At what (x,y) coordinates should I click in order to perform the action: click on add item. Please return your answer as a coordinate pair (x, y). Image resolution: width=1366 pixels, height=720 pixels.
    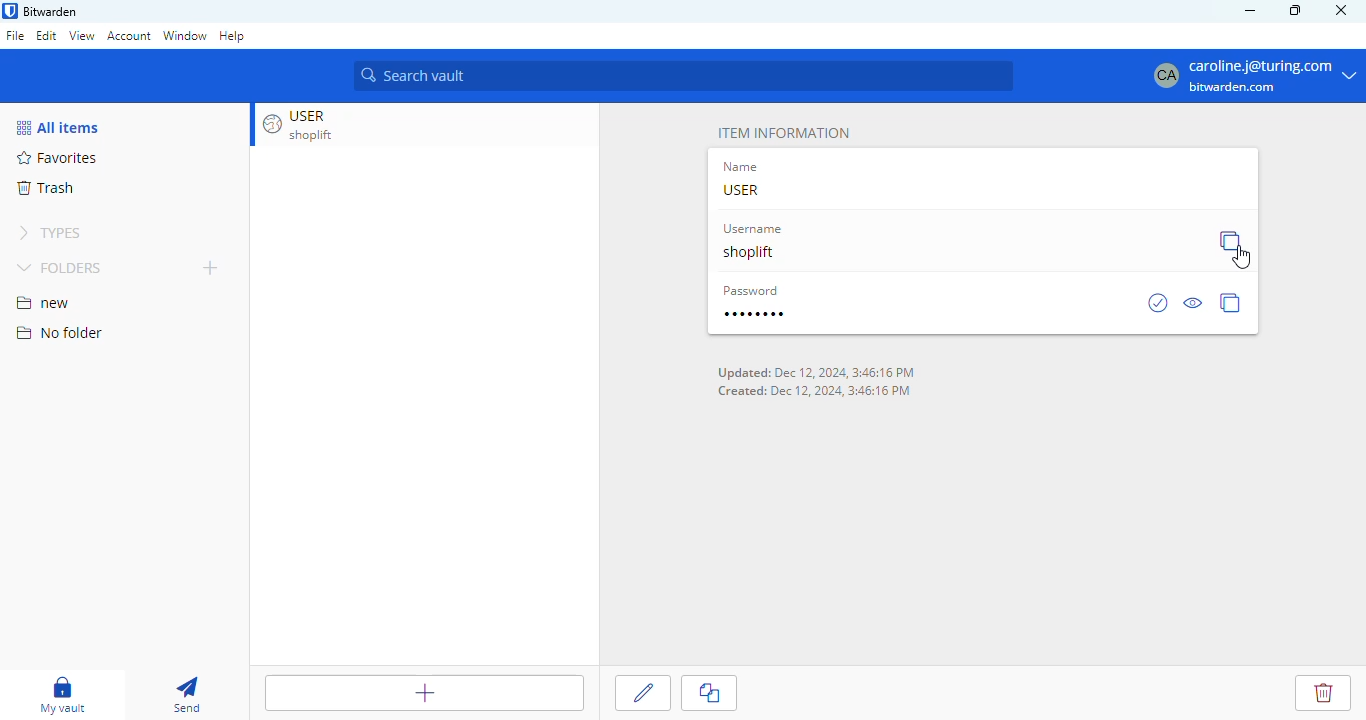
    Looking at the image, I should click on (423, 692).